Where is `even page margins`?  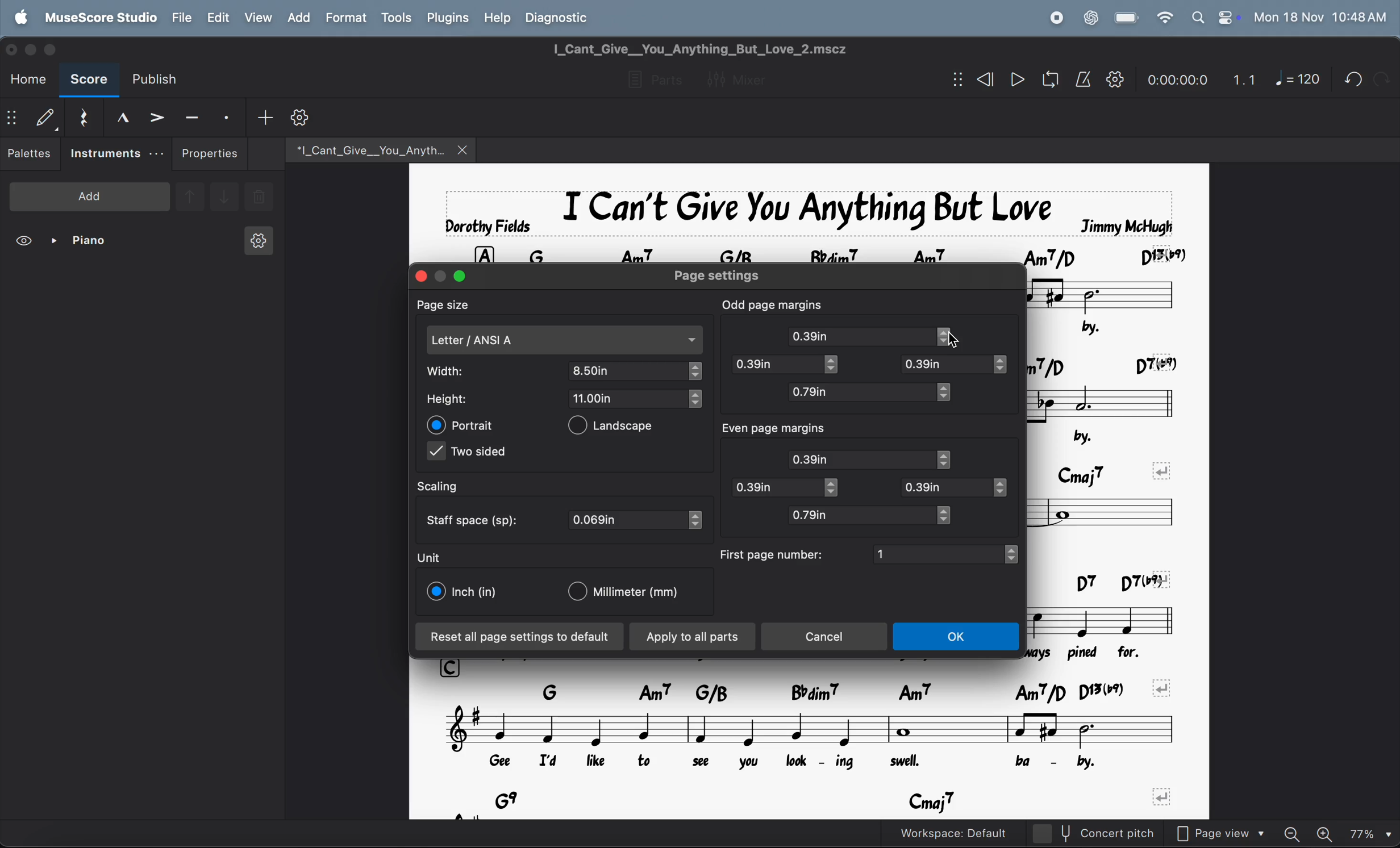 even page margins is located at coordinates (787, 429).